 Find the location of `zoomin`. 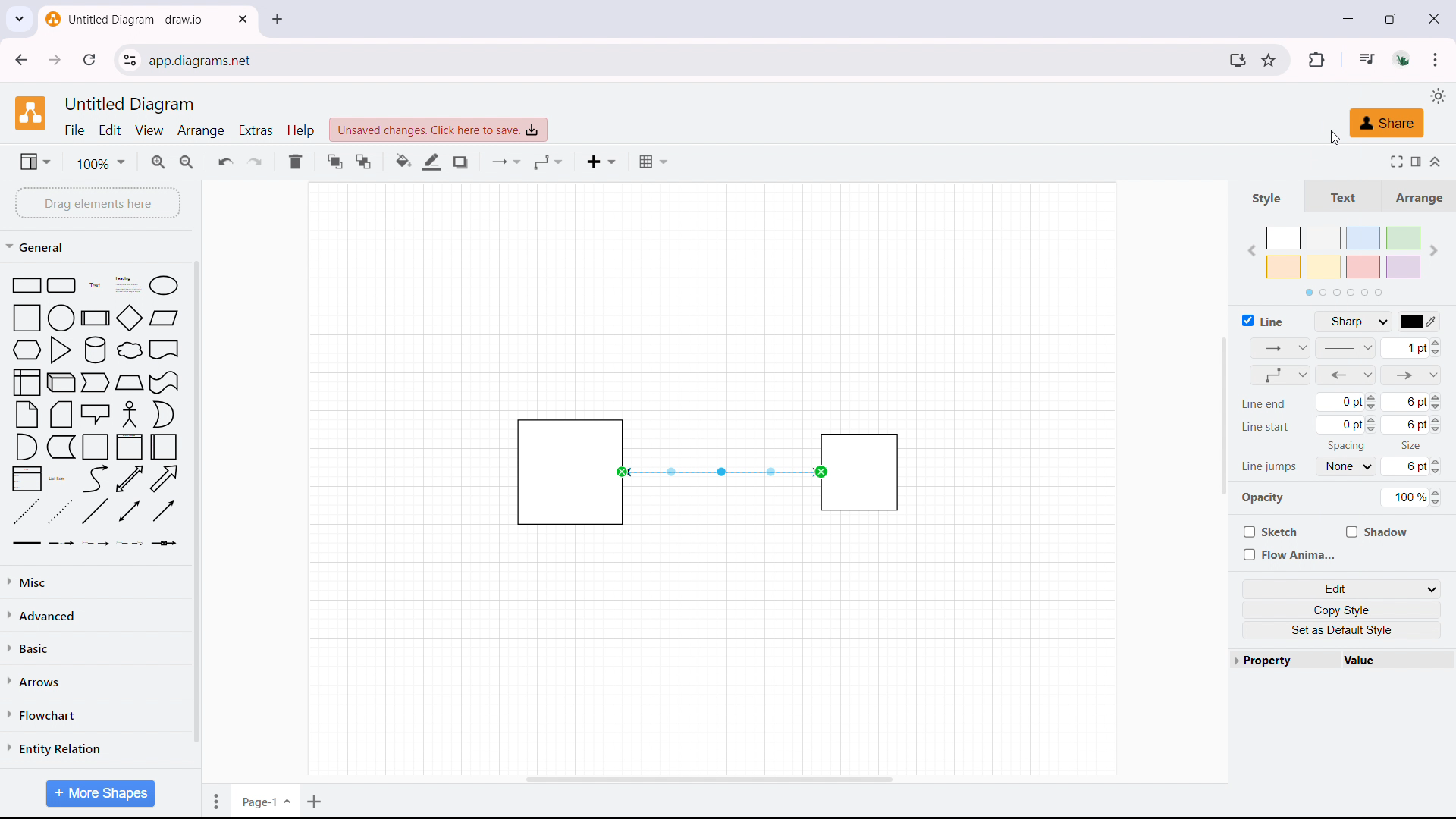

zoomin is located at coordinates (159, 162).